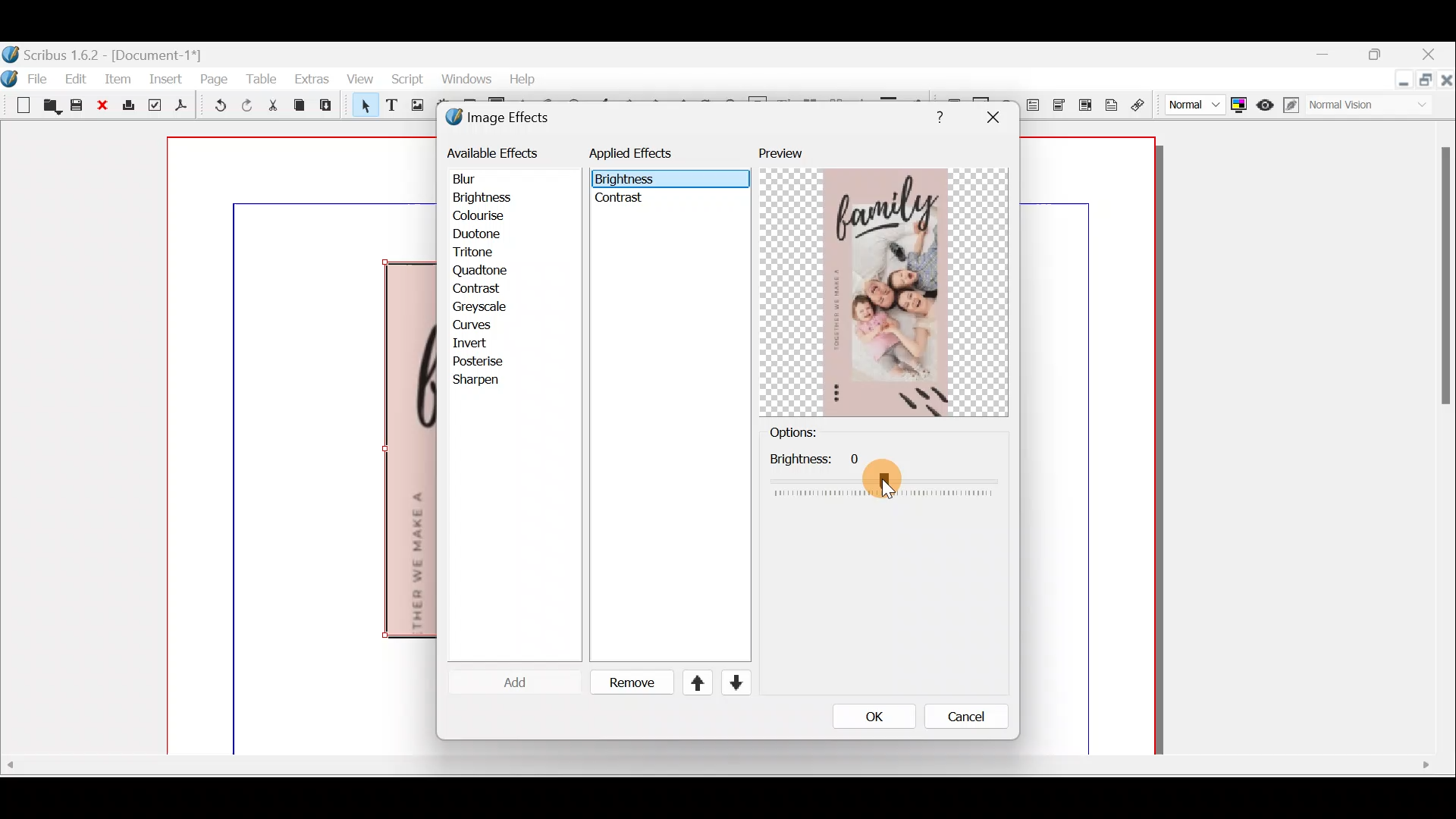  I want to click on PDF List box, so click(1084, 103).